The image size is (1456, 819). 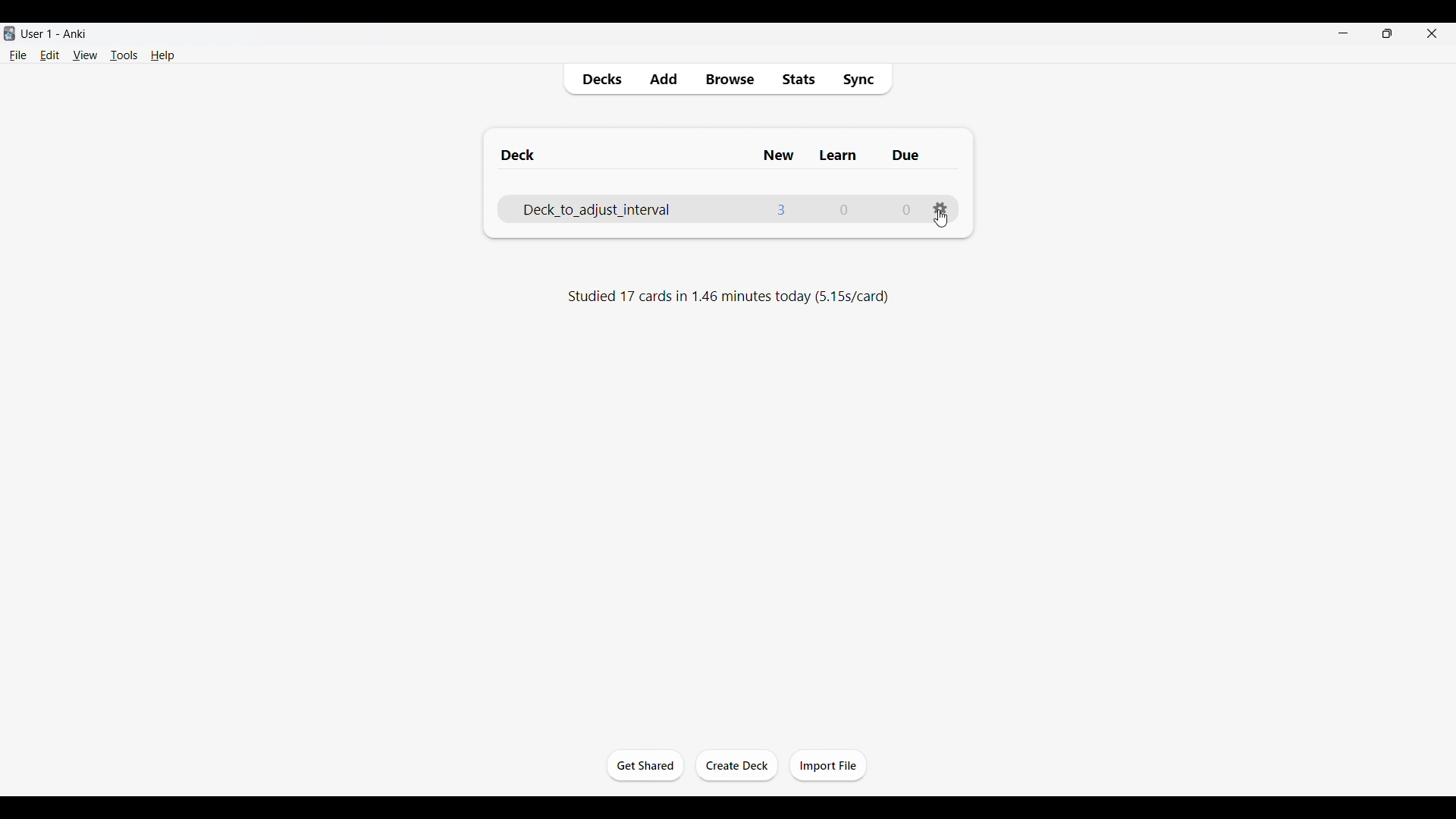 What do you see at coordinates (666, 79) in the screenshot?
I see `Add` at bounding box center [666, 79].